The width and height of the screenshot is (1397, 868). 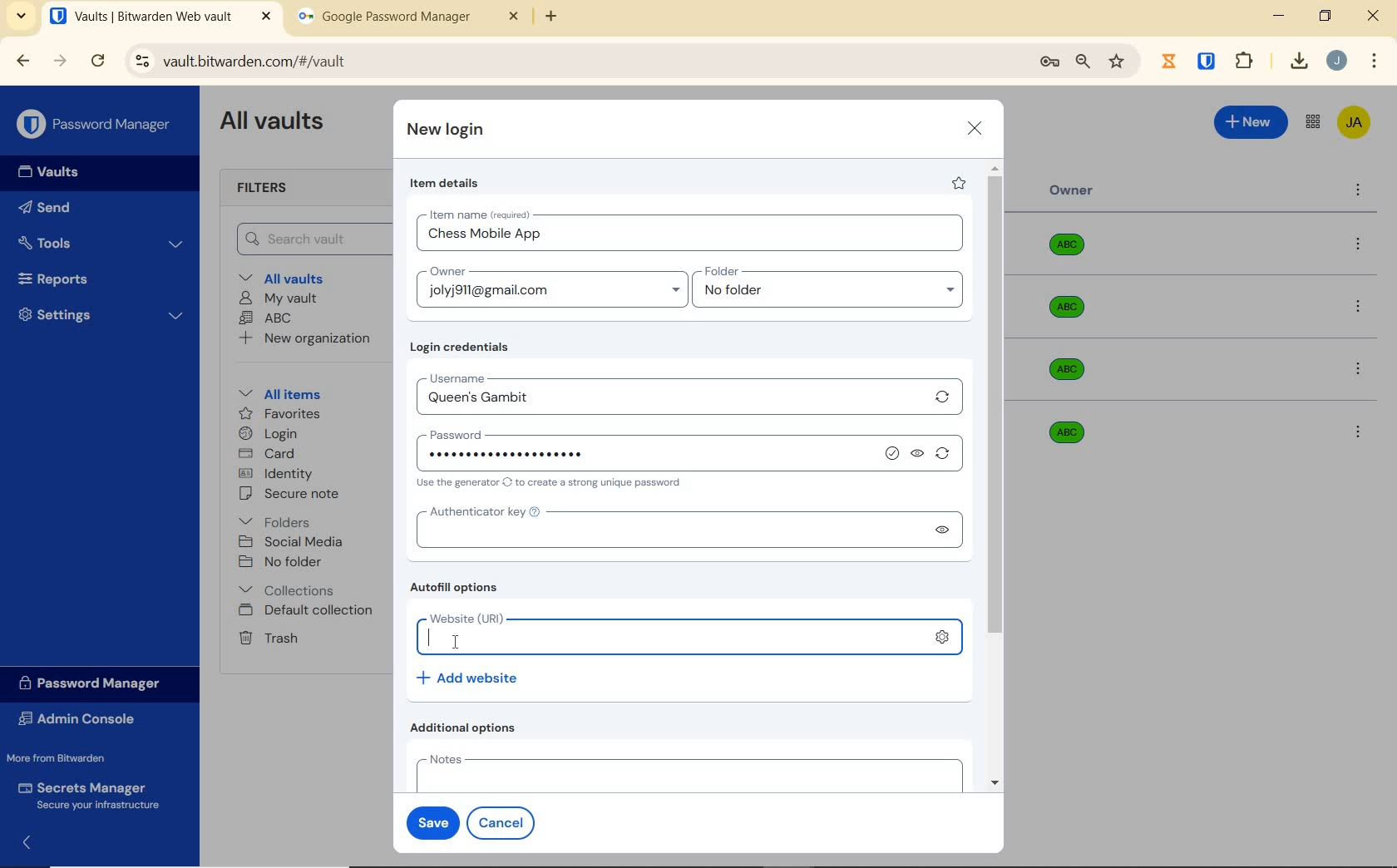 I want to click on minimize, so click(x=1278, y=16).